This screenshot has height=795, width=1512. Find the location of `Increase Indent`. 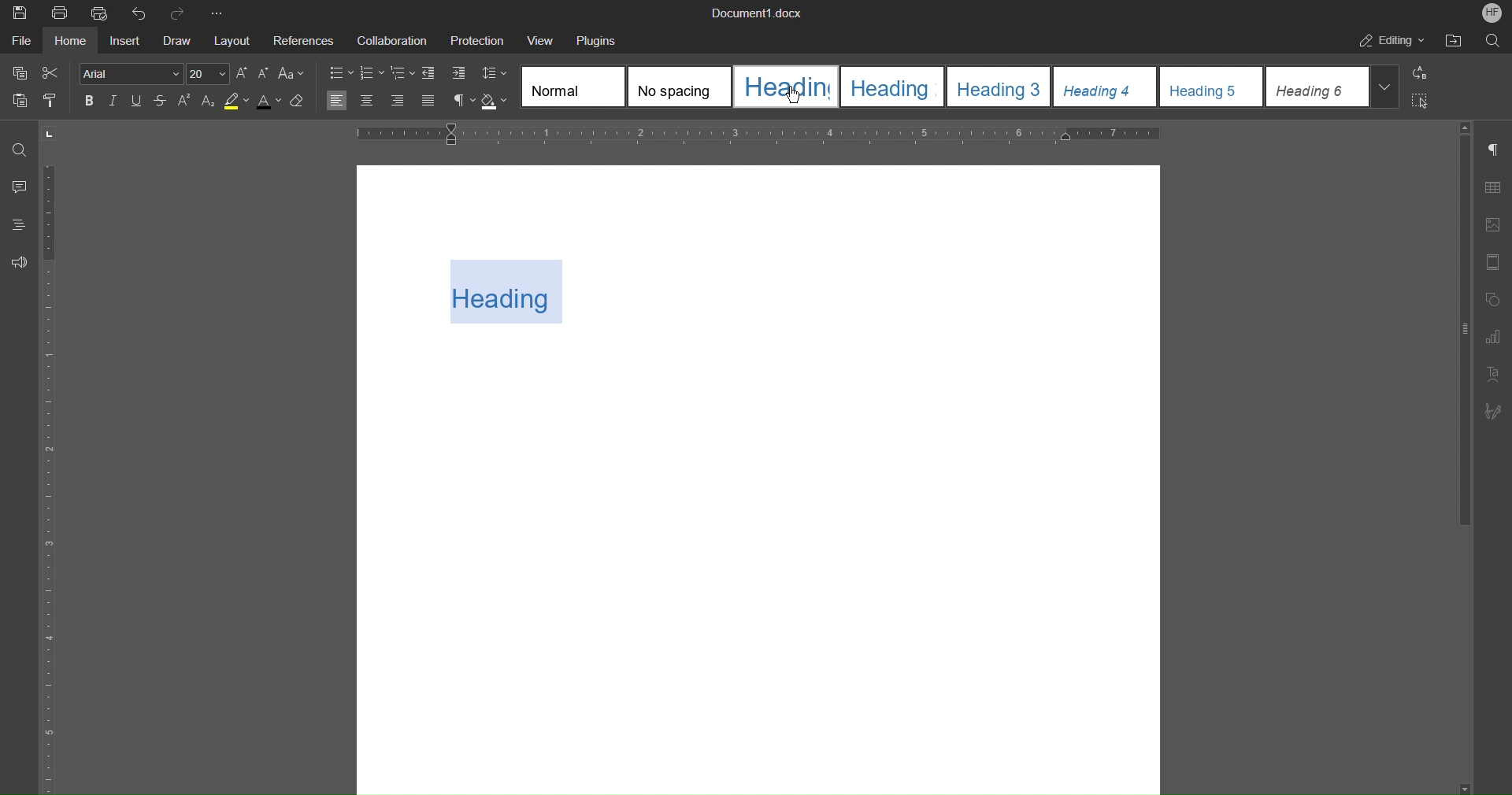

Increase Indent is located at coordinates (458, 73).